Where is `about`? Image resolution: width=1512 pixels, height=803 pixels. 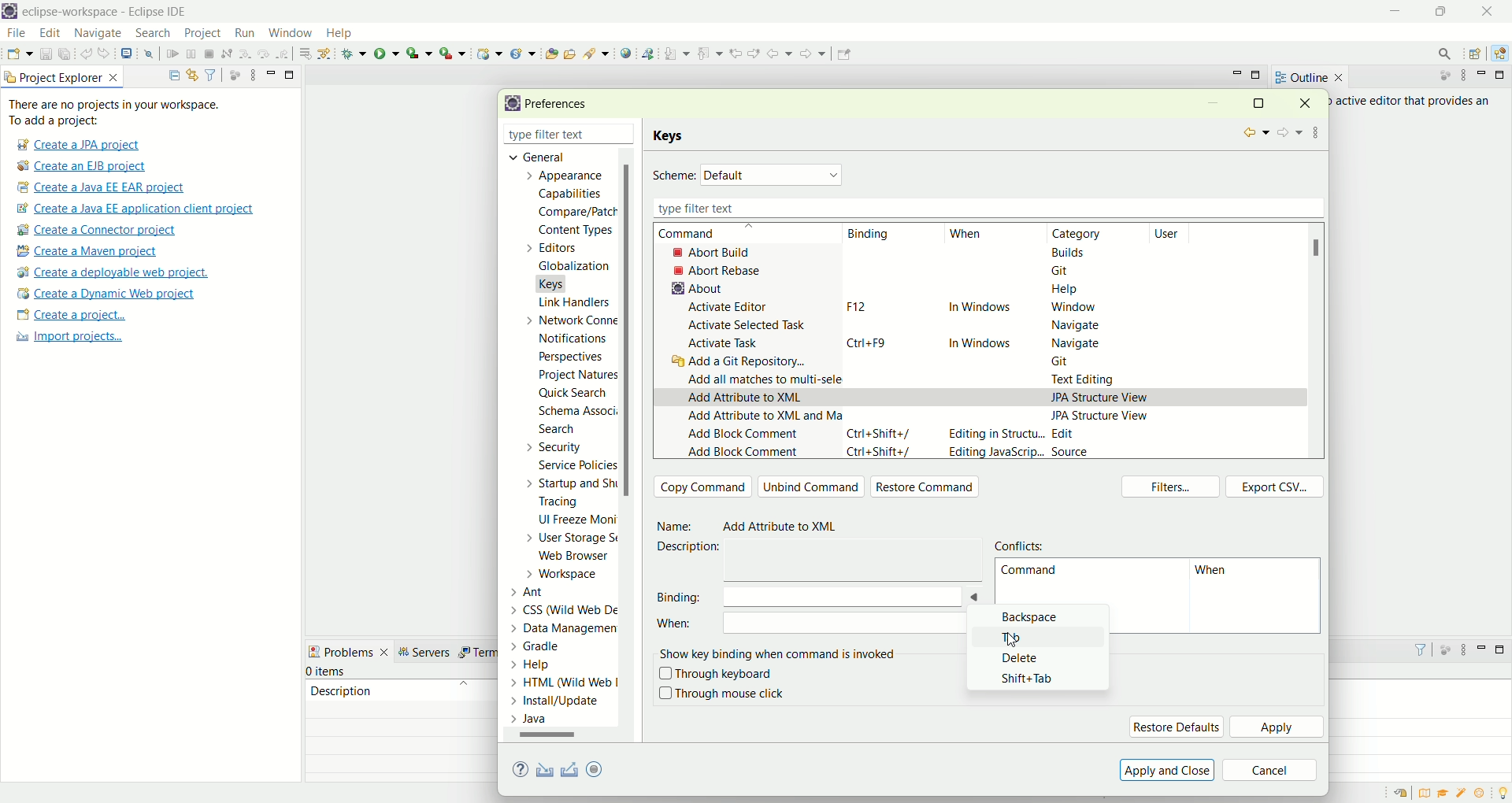
about is located at coordinates (693, 288).